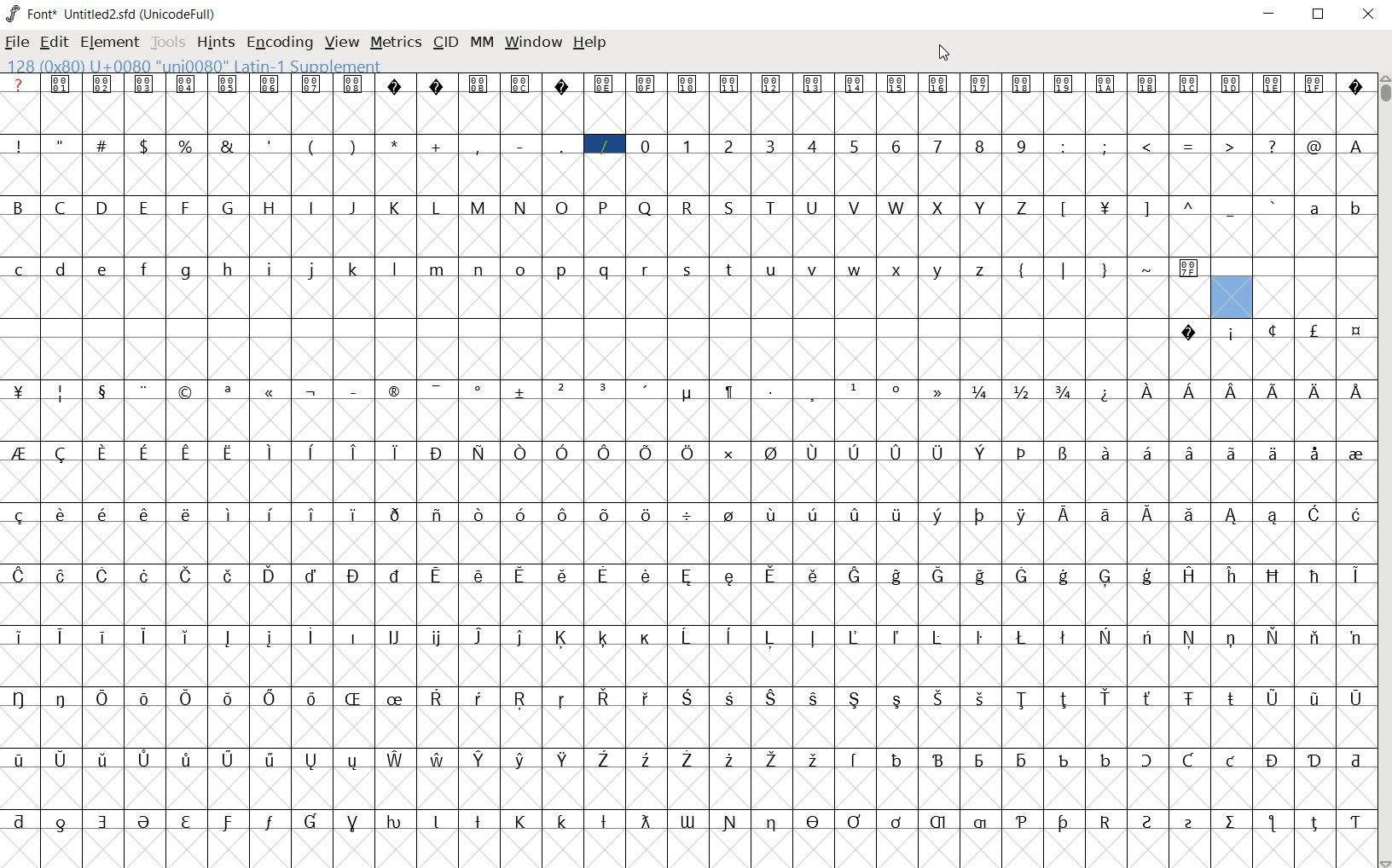 This screenshot has width=1392, height=868. What do you see at coordinates (812, 637) in the screenshot?
I see `glyph` at bounding box center [812, 637].